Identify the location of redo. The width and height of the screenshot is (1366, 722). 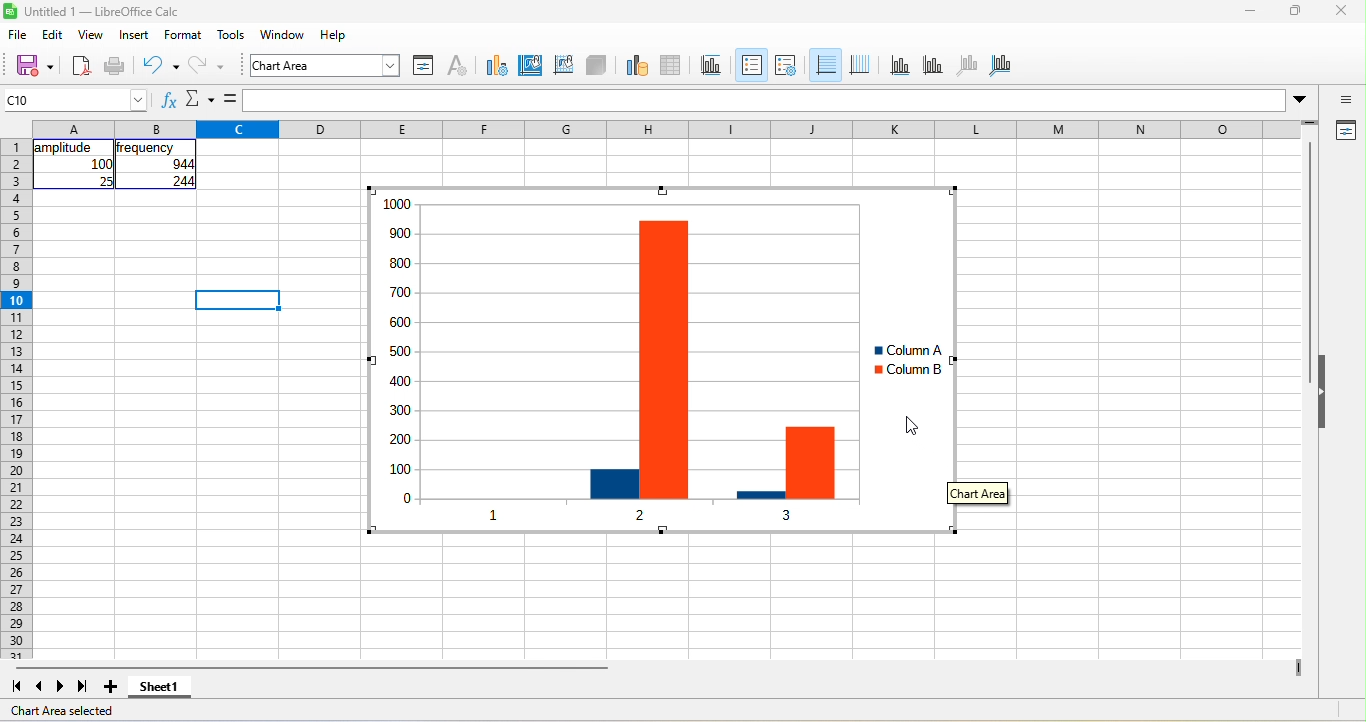
(207, 67).